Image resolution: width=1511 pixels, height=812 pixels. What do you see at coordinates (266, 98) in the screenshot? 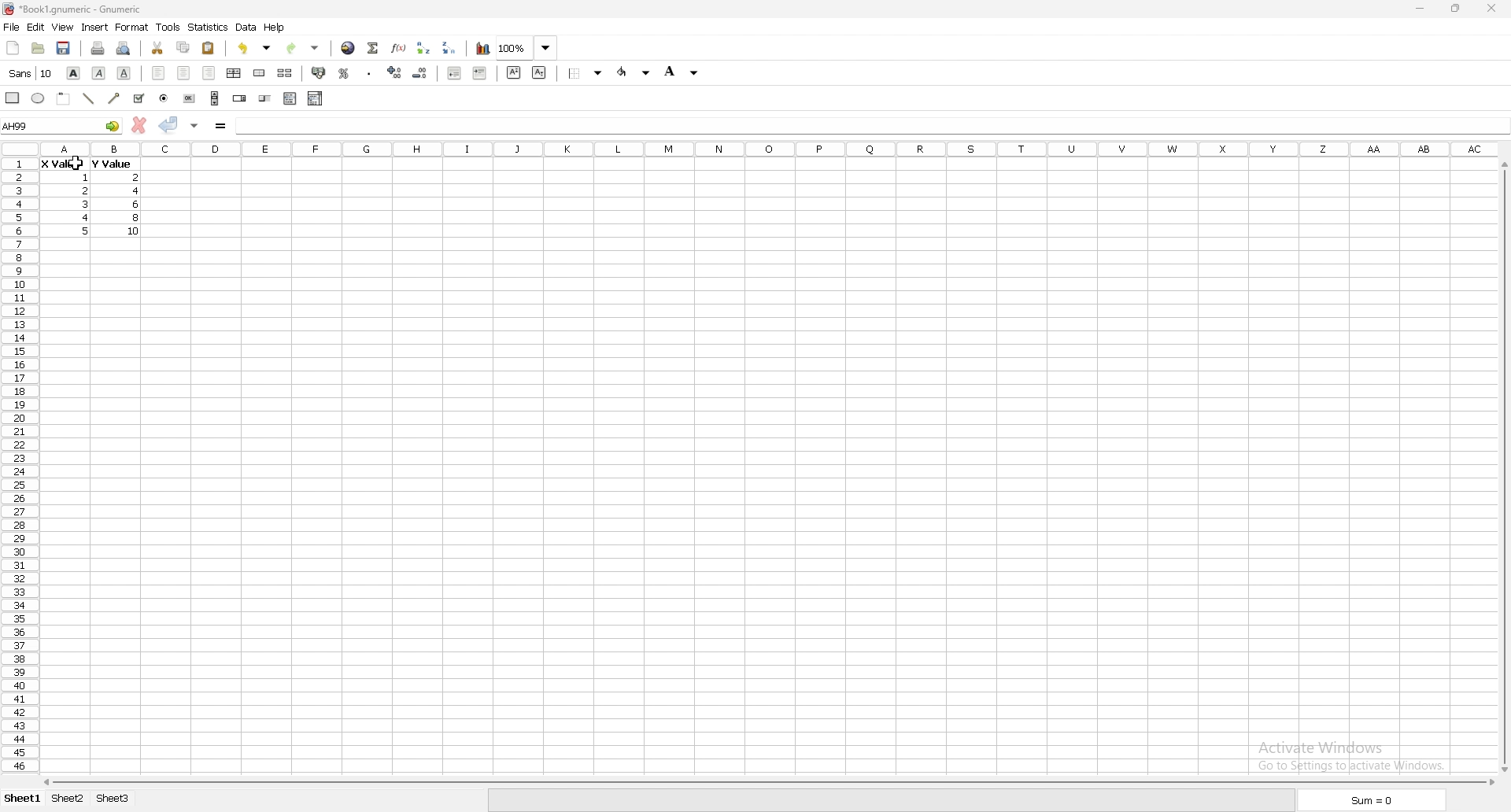
I see `slider` at bounding box center [266, 98].